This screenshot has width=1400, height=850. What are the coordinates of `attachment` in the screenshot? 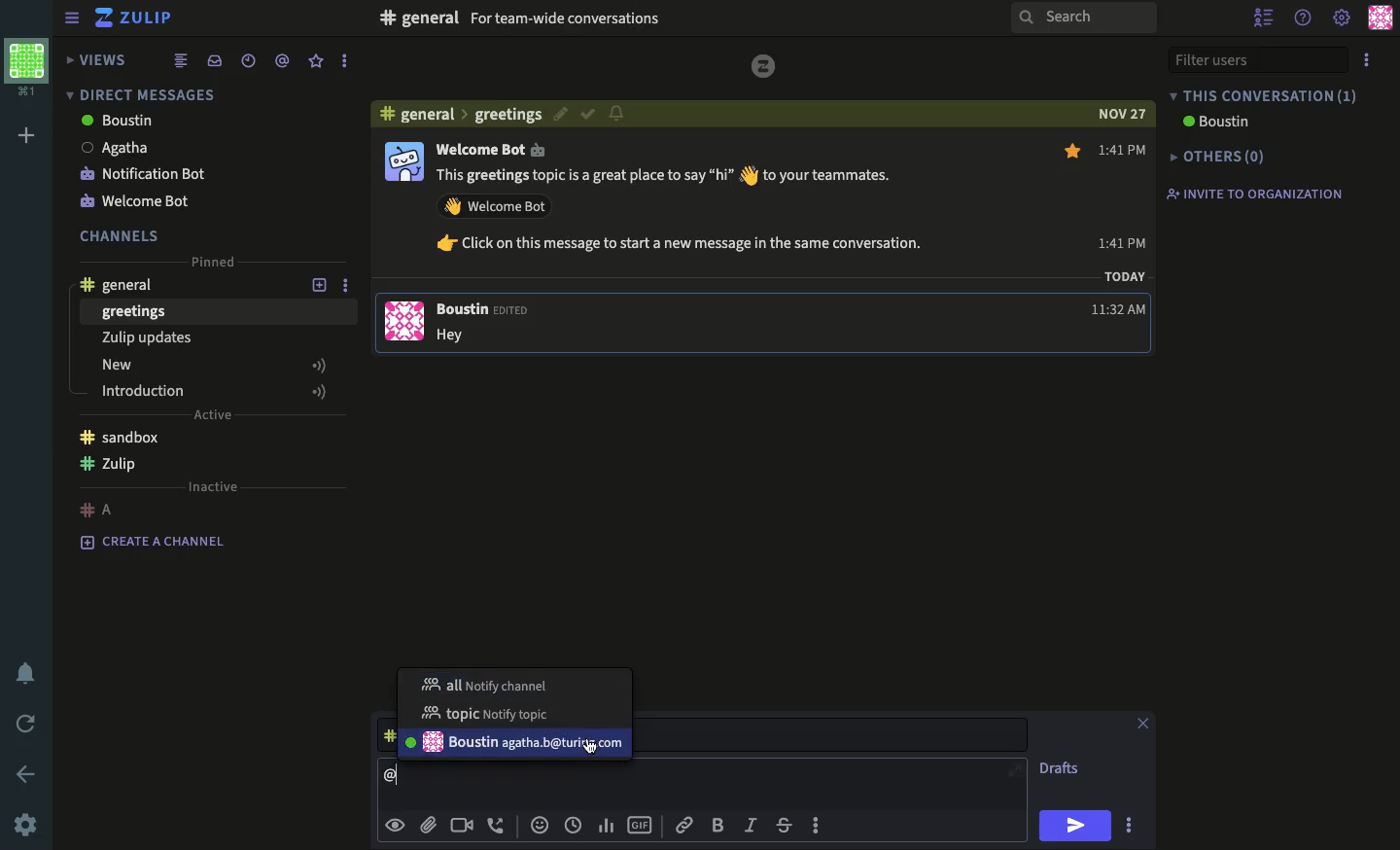 It's located at (429, 826).